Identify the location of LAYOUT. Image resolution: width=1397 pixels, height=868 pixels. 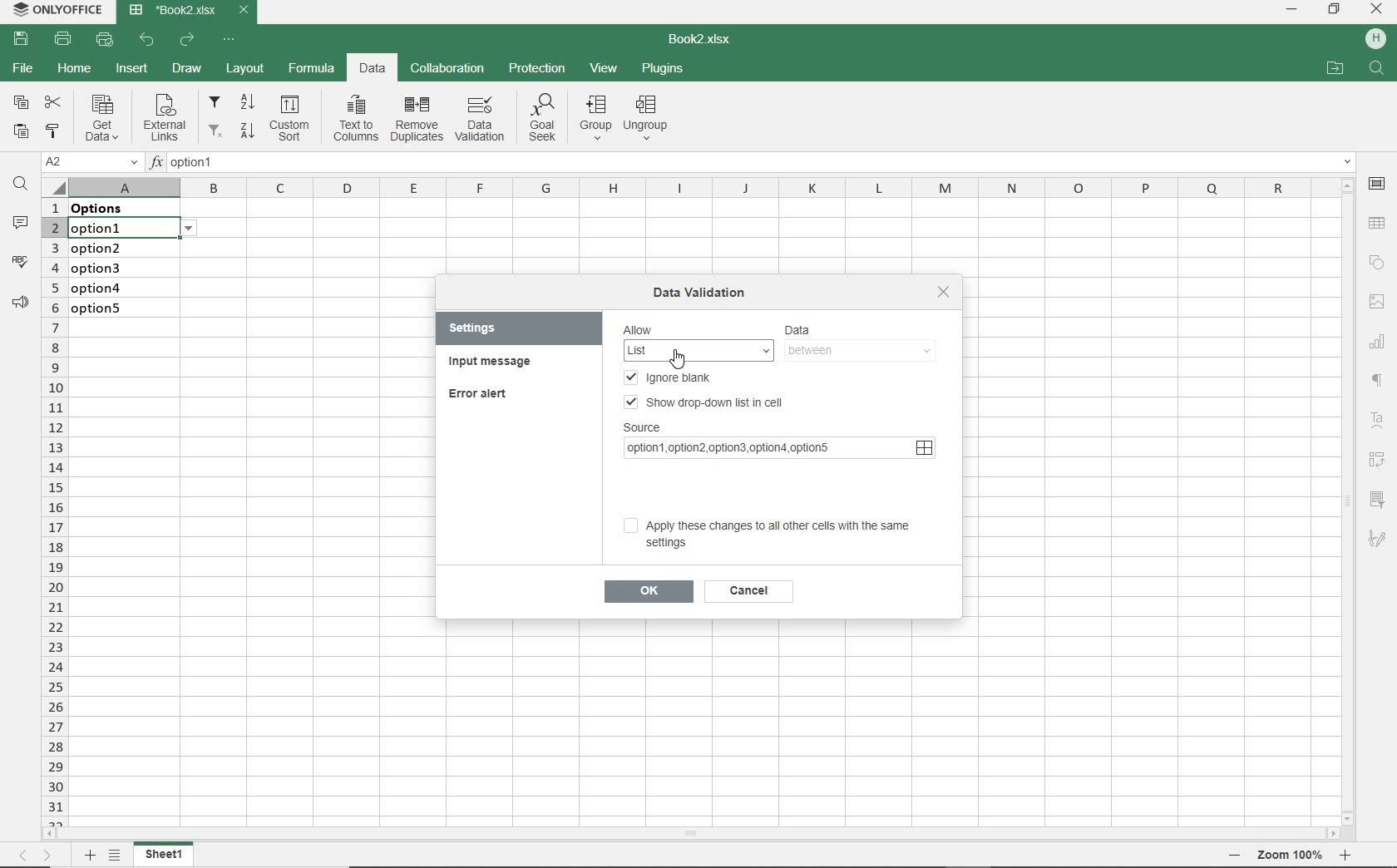
(245, 68).